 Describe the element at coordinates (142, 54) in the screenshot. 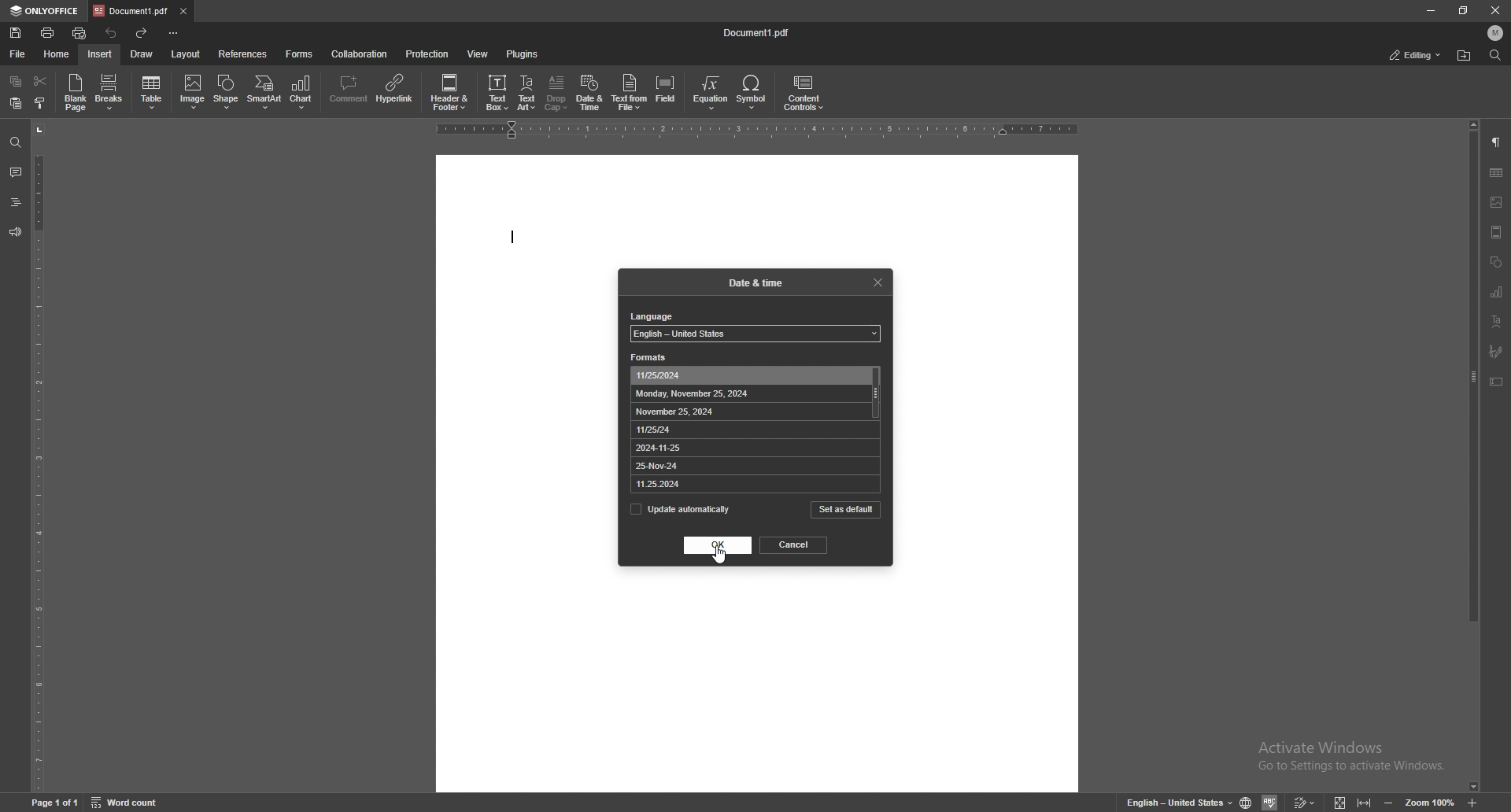

I see `draw` at that location.